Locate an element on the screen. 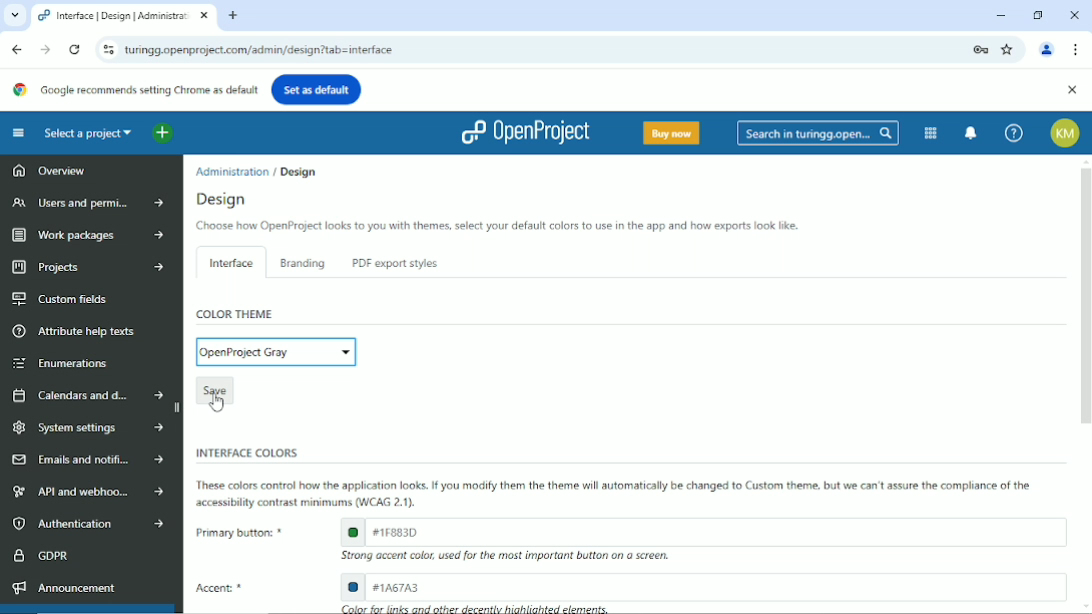  System settings is located at coordinates (87, 427).